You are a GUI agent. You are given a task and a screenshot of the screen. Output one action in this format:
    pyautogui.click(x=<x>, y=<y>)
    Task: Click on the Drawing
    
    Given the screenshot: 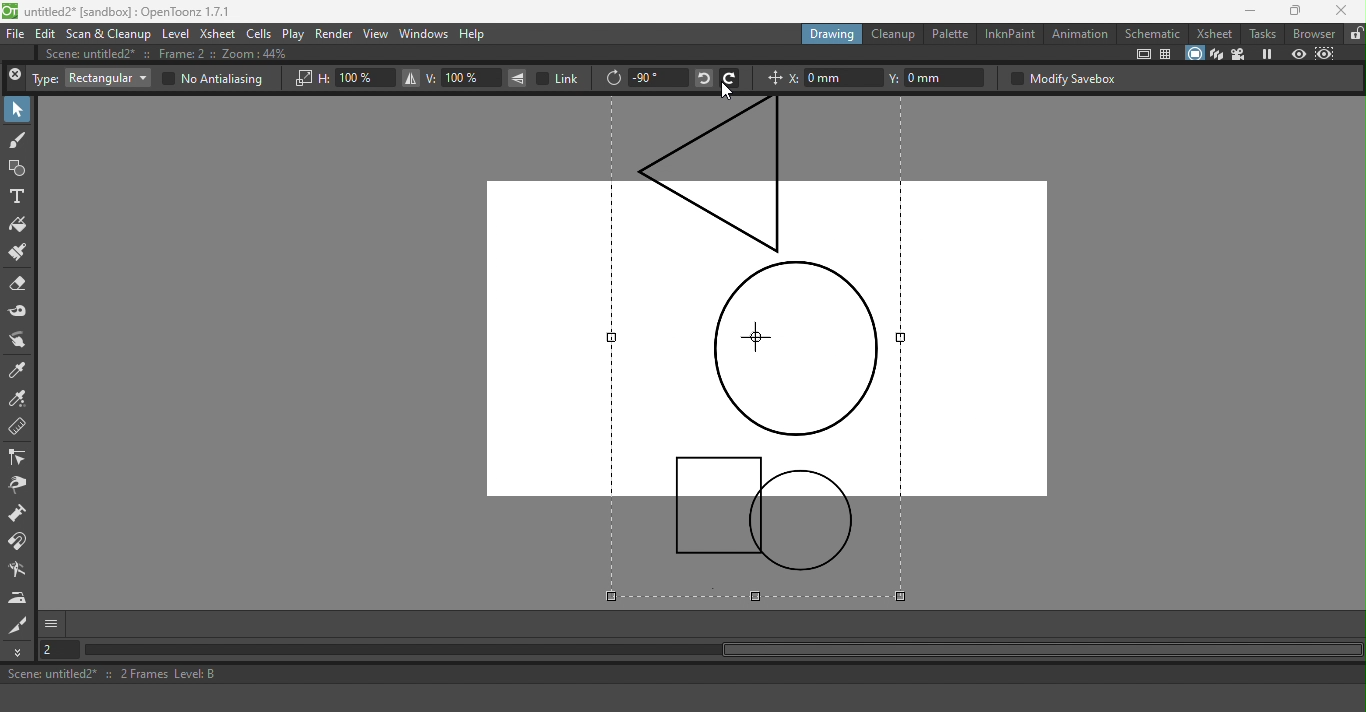 What is the action you would take?
    pyautogui.click(x=832, y=33)
    